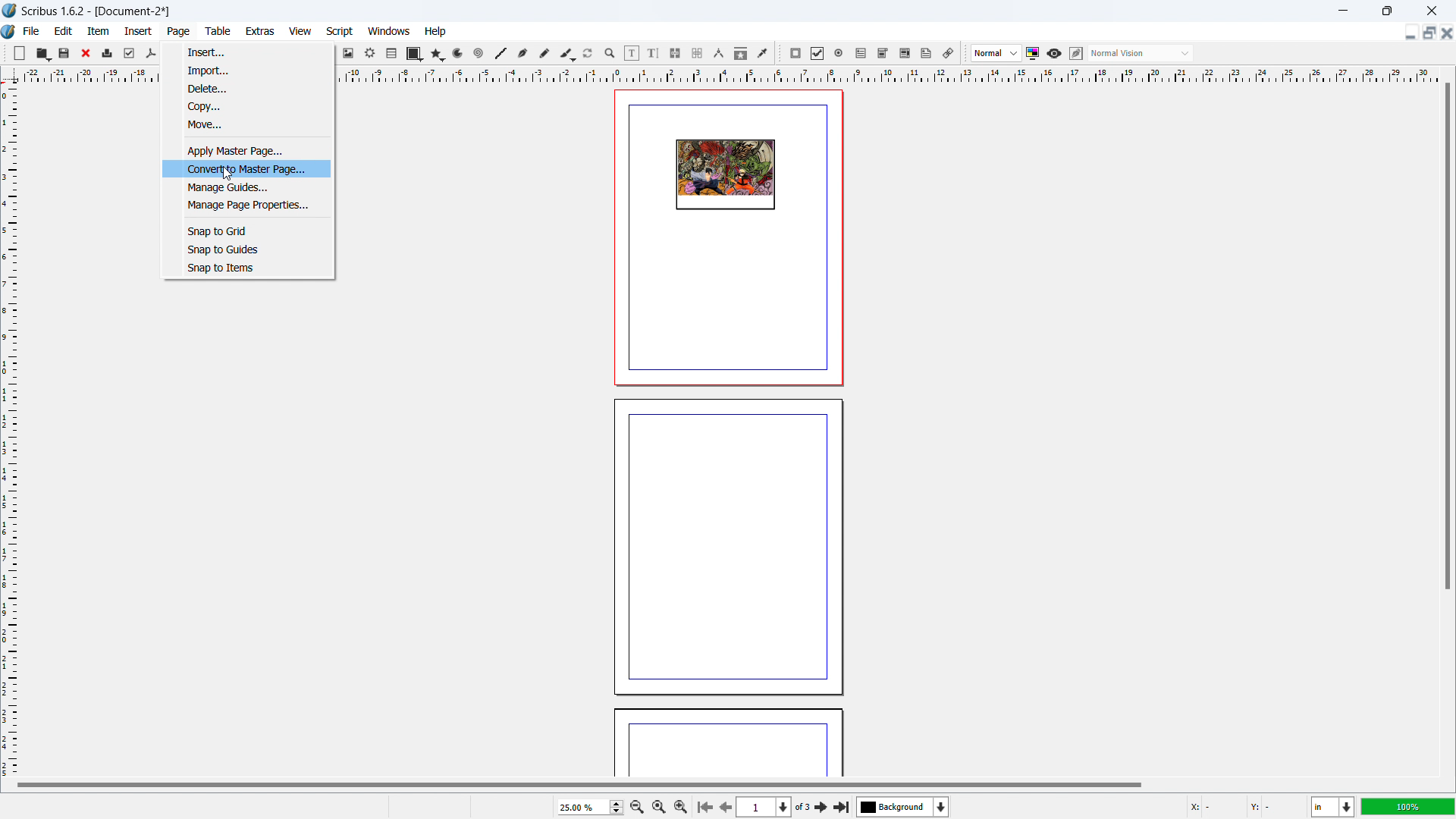 Image resolution: width=1456 pixels, height=819 pixels. I want to click on manage page properties, so click(248, 206).